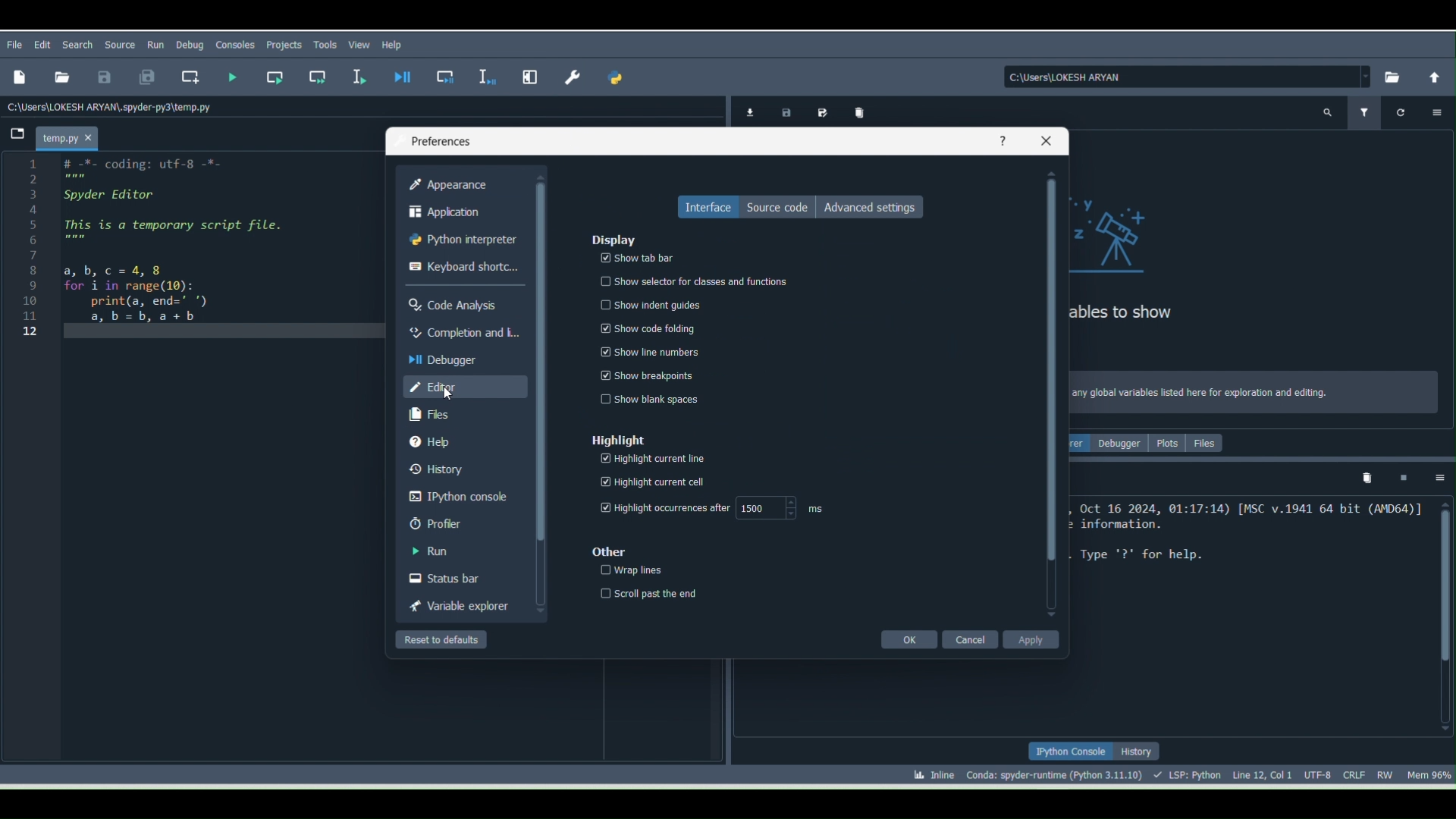 Image resolution: width=1456 pixels, height=819 pixels. I want to click on Debugger, so click(1121, 443).